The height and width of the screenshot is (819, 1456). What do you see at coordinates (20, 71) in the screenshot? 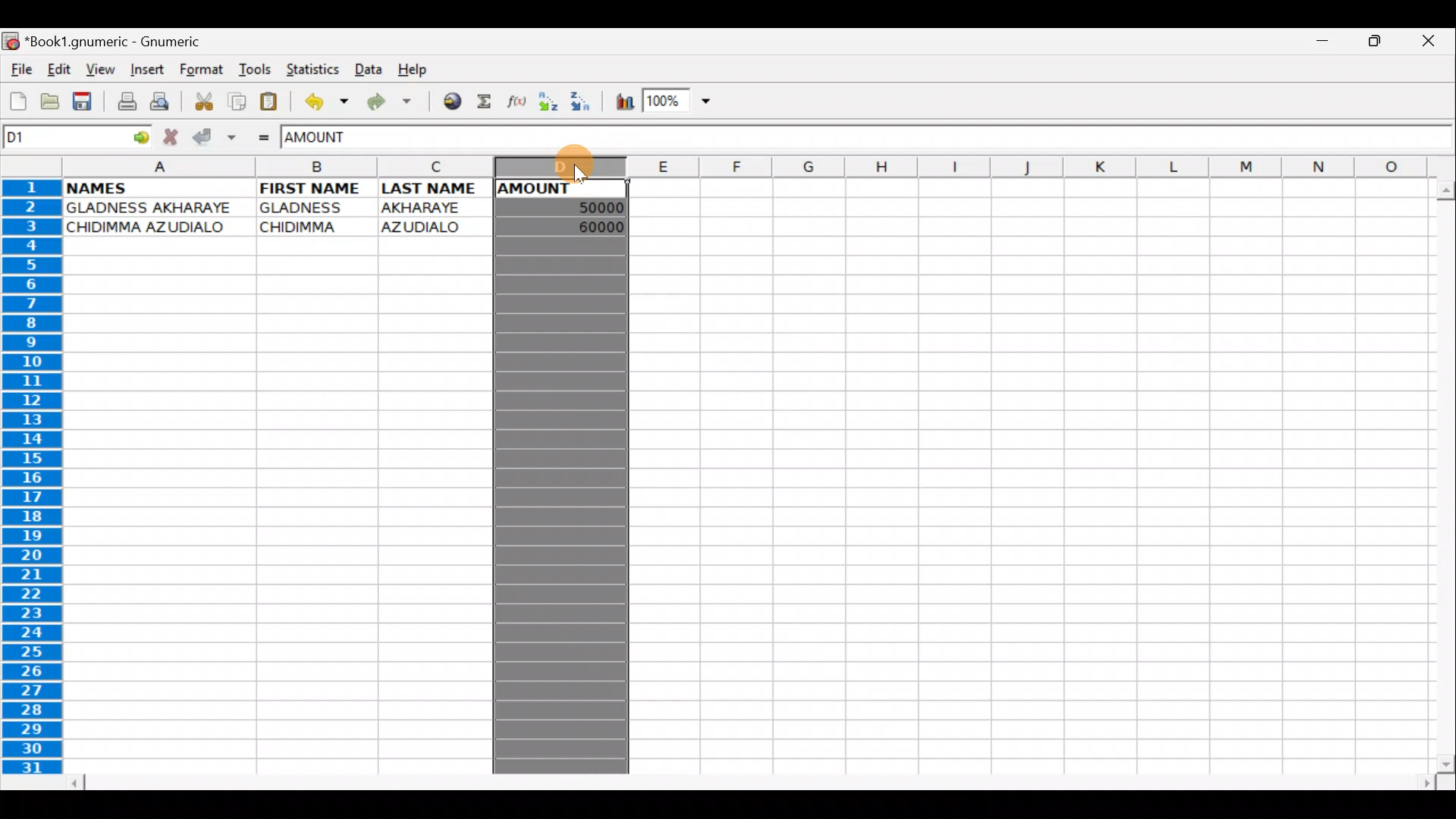
I see `File` at bounding box center [20, 71].